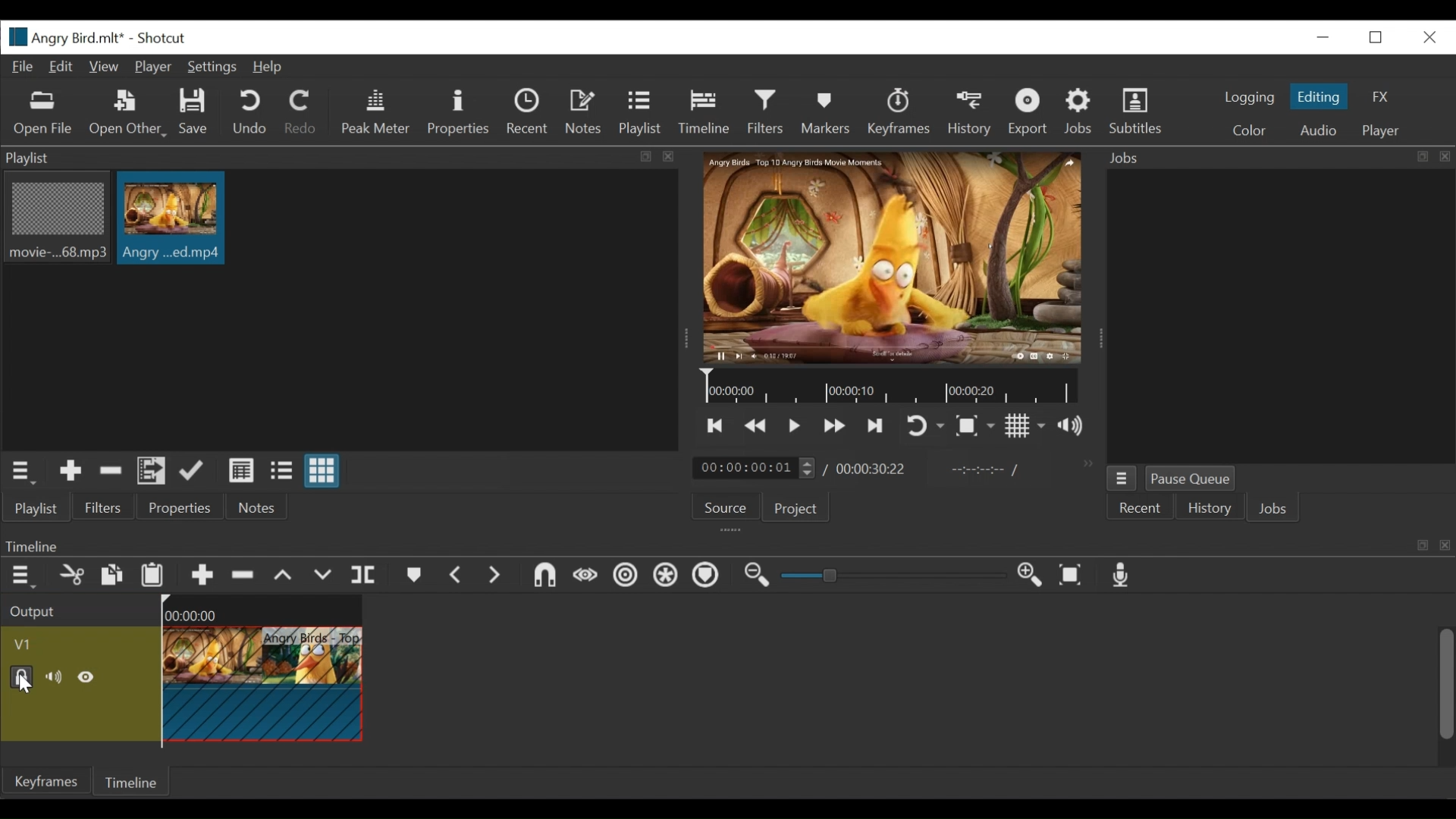 The image size is (1456, 819). What do you see at coordinates (56, 678) in the screenshot?
I see `mute` at bounding box center [56, 678].